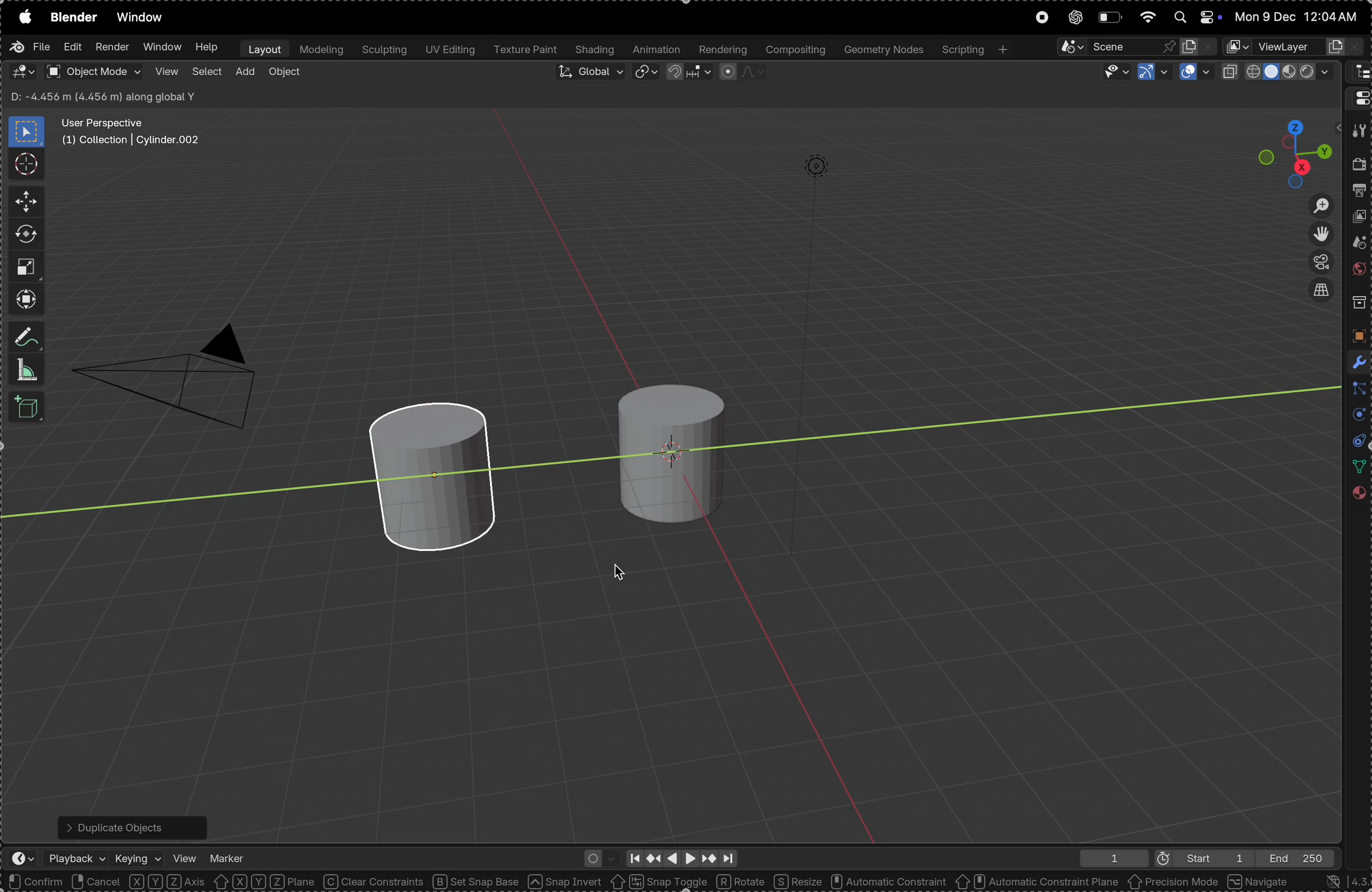 The width and height of the screenshot is (1372, 892). What do you see at coordinates (658, 881) in the screenshot?
I see `snap toggle` at bounding box center [658, 881].